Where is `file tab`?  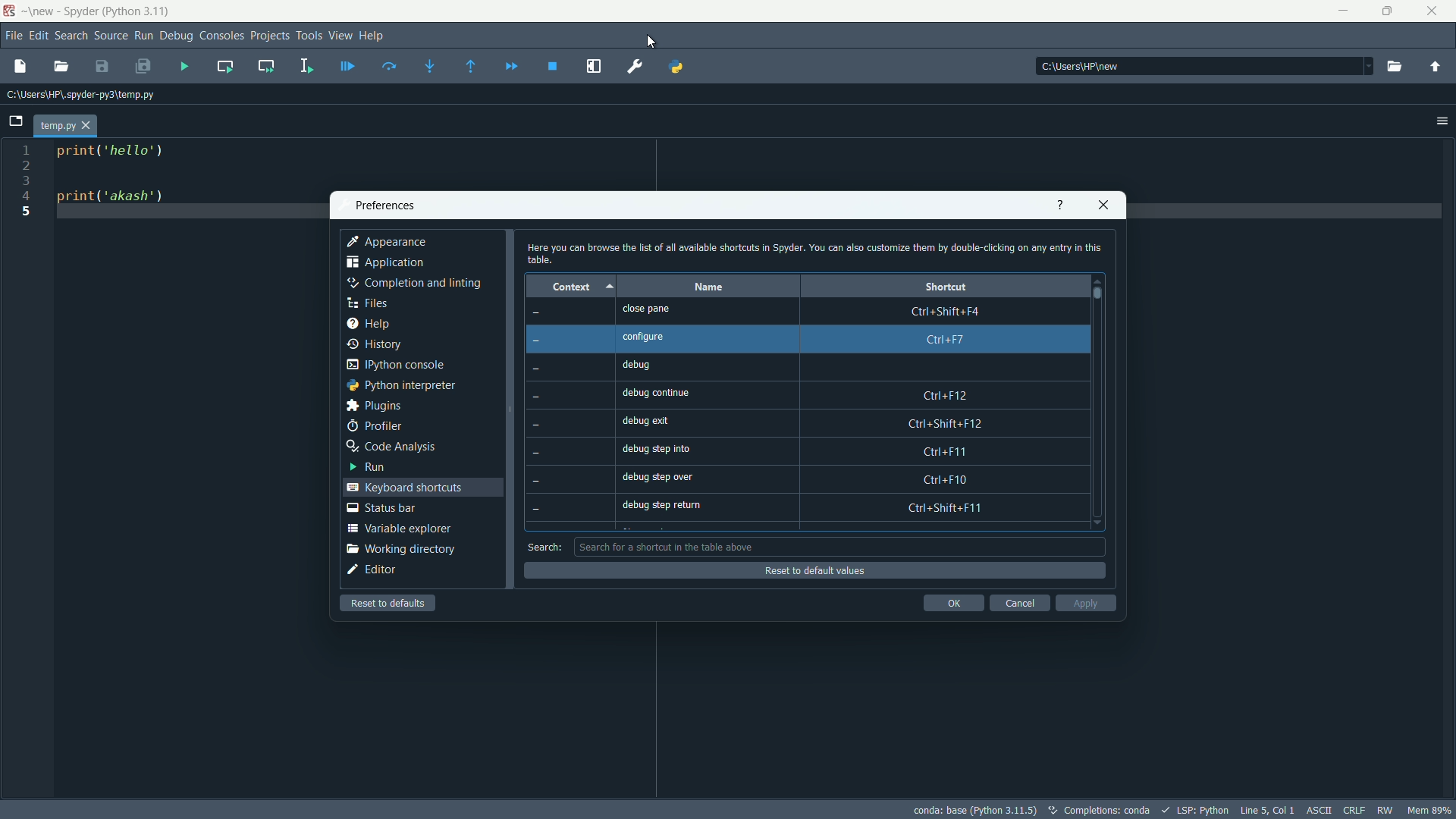 file tab is located at coordinates (64, 126).